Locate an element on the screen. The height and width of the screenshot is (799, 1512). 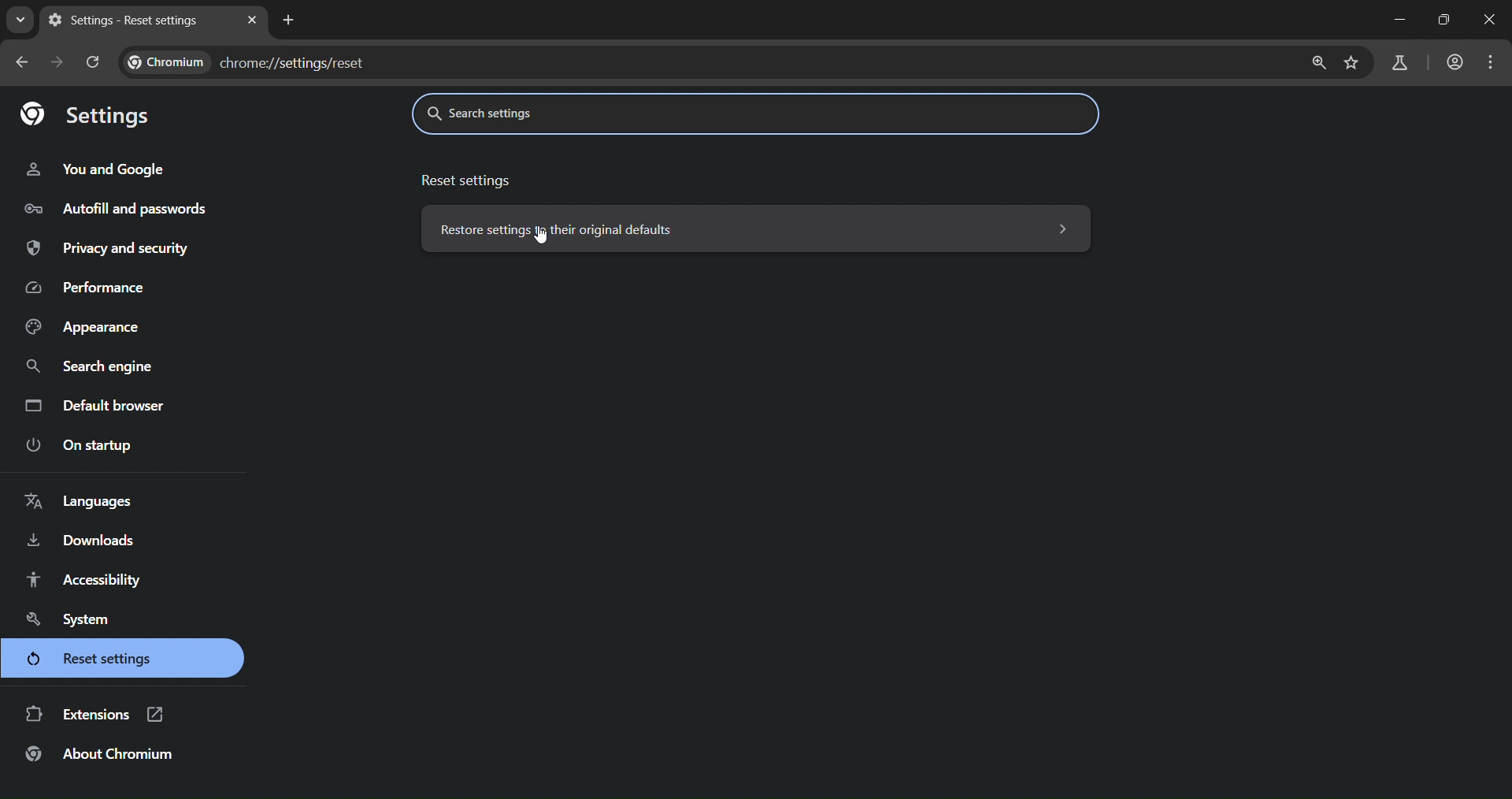
go back one page is located at coordinates (24, 61).